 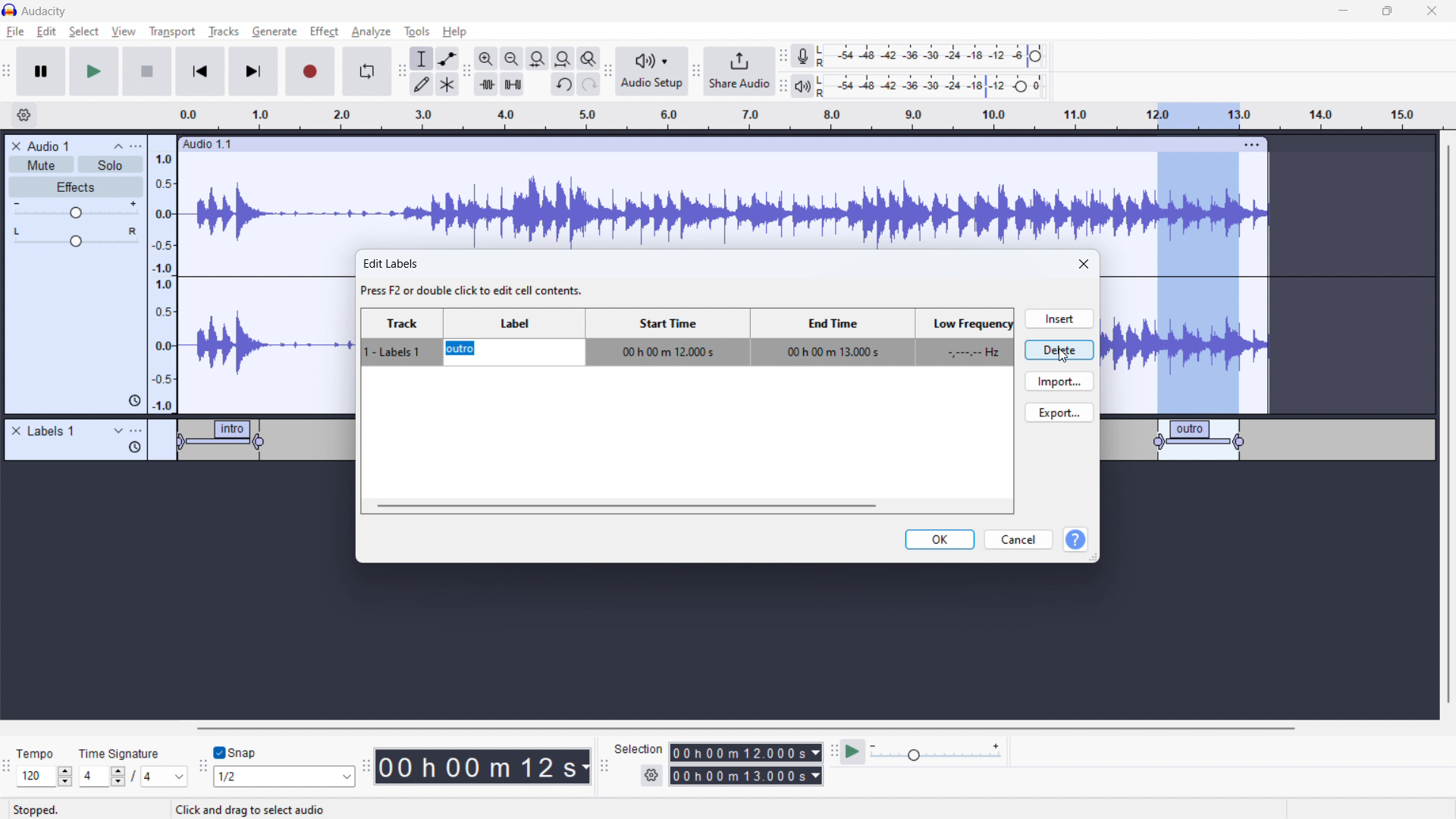 What do you see at coordinates (199, 72) in the screenshot?
I see `skip to the starting` at bounding box center [199, 72].